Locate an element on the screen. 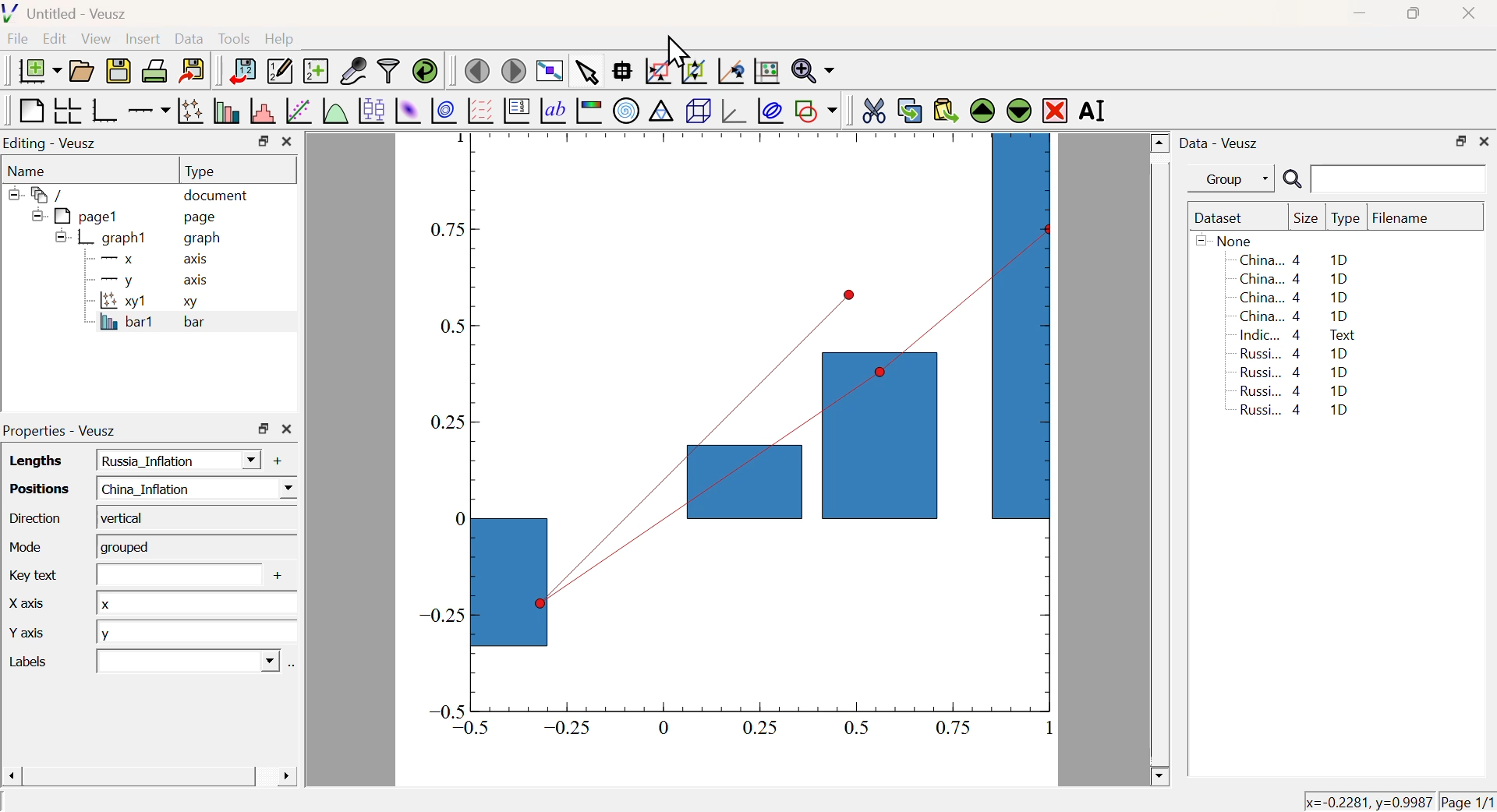 The image size is (1497, 812). y axis is located at coordinates (147, 280).